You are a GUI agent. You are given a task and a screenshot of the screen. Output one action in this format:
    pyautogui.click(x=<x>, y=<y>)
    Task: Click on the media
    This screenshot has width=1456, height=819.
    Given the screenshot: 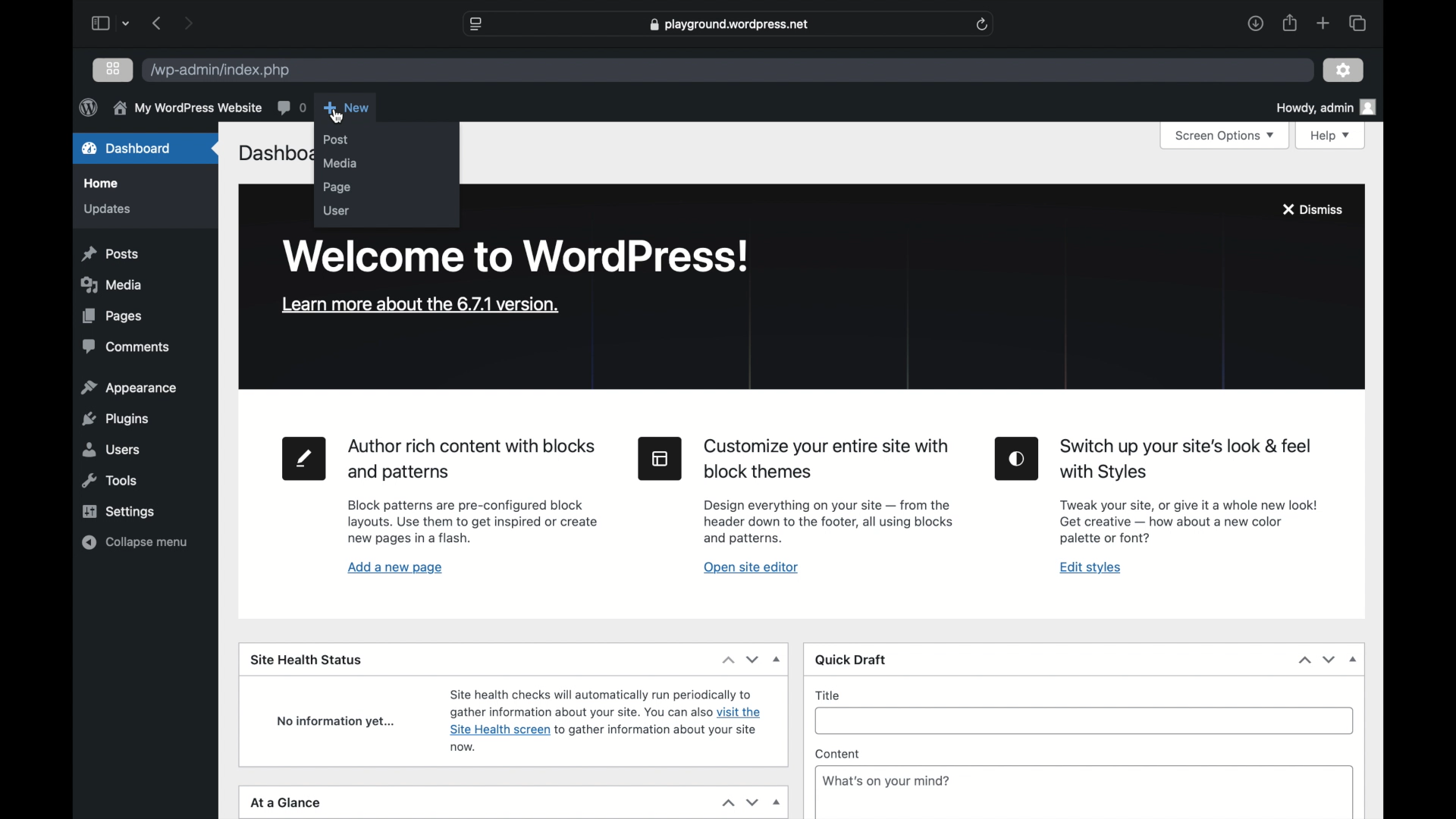 What is the action you would take?
    pyautogui.click(x=111, y=285)
    